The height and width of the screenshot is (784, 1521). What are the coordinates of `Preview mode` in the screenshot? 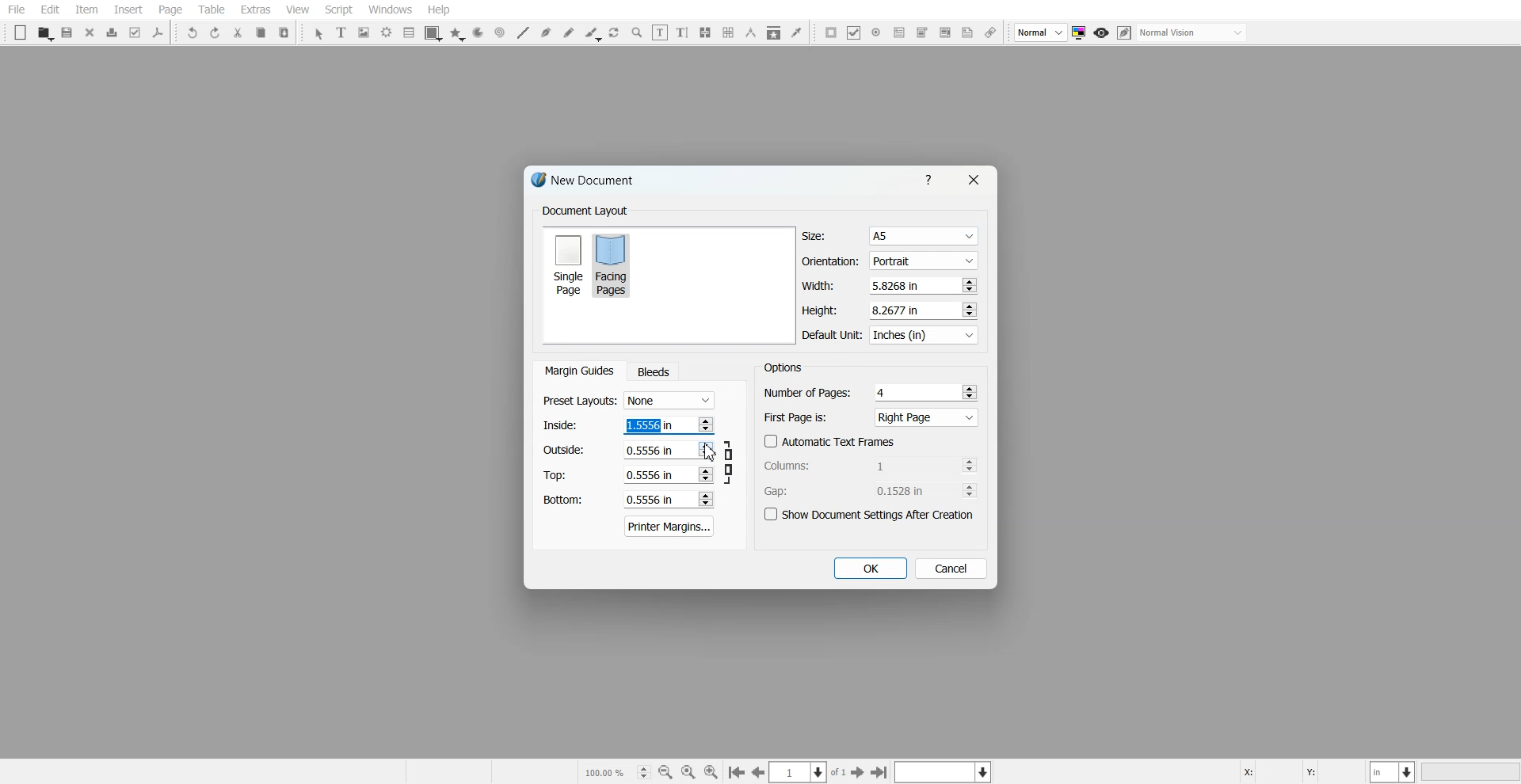 It's located at (1102, 33).